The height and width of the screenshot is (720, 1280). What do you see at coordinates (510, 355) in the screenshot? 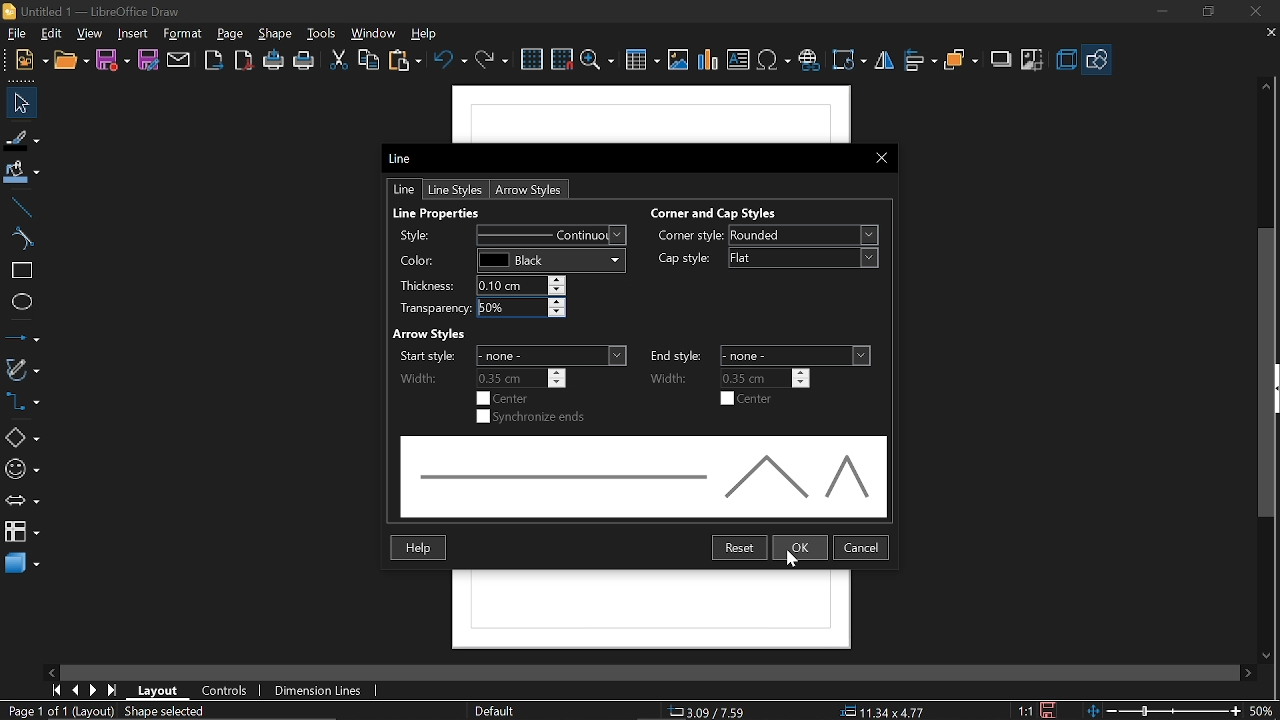
I see `Start styles` at bounding box center [510, 355].